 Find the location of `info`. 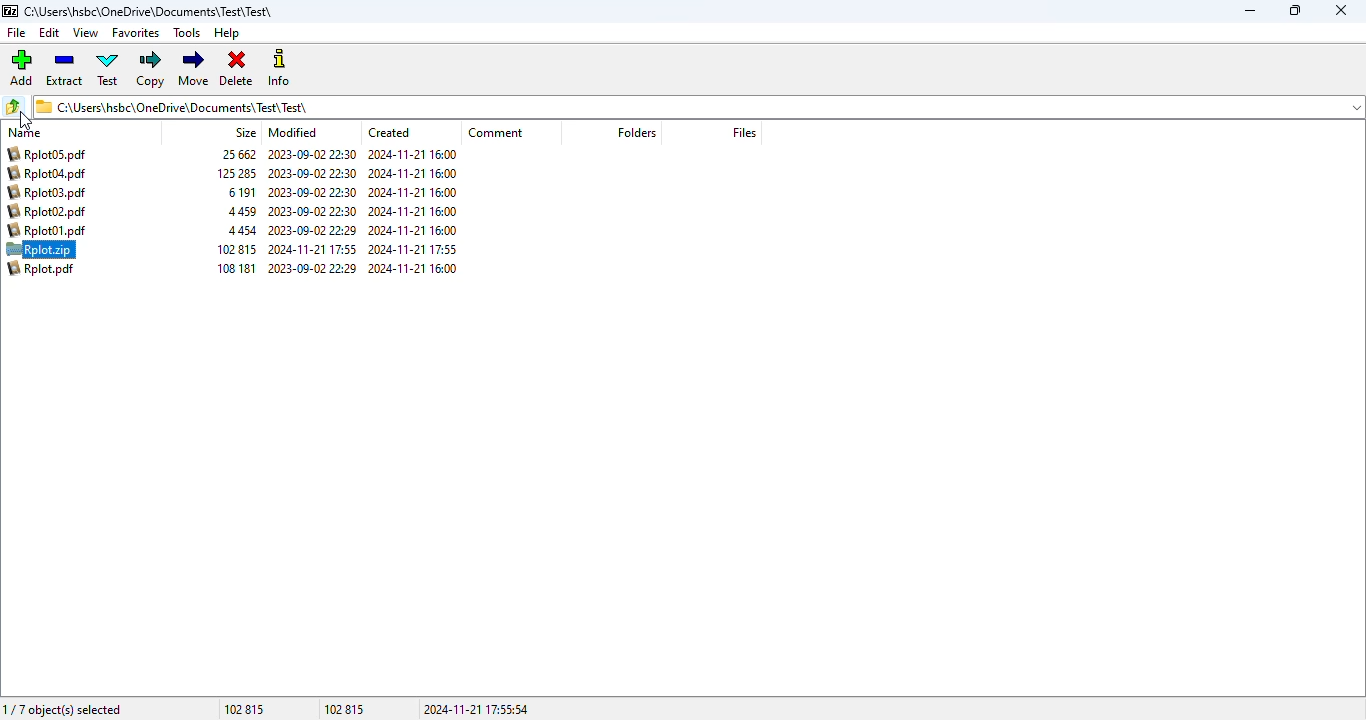

info is located at coordinates (282, 69).